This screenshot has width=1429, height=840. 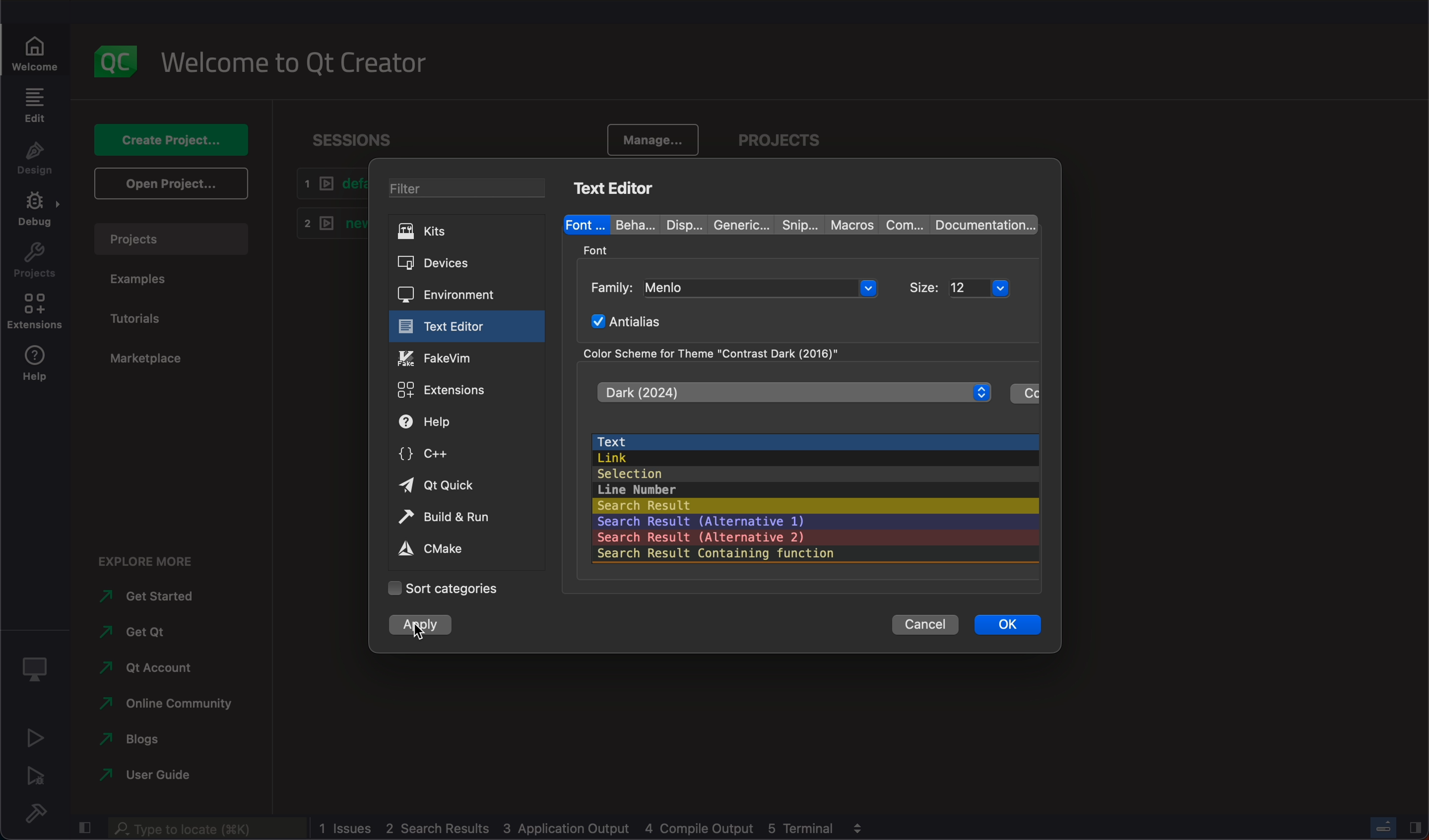 I want to click on build, so click(x=32, y=812).